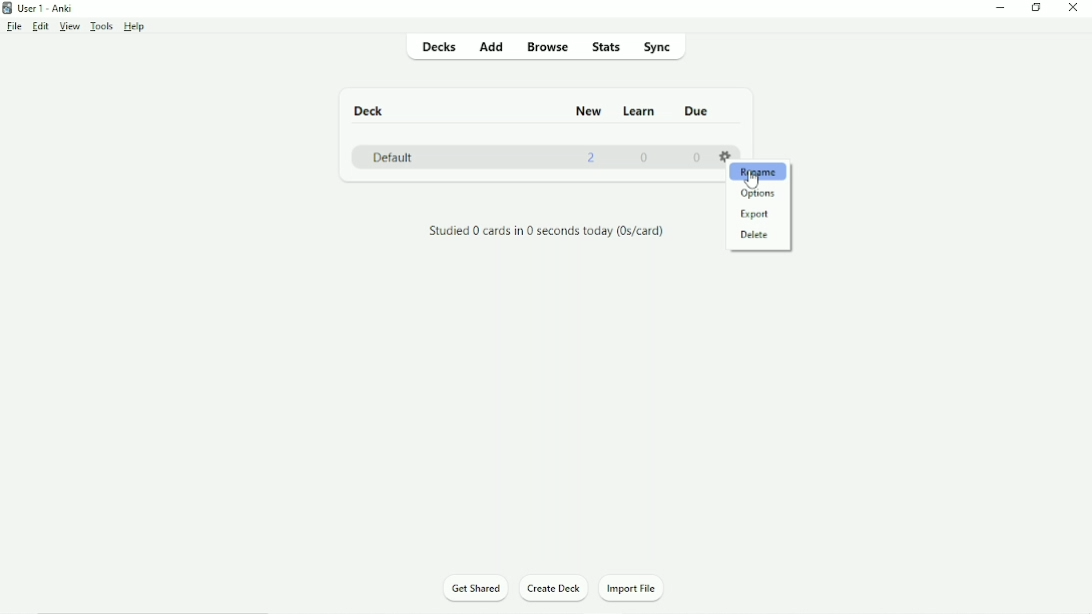 Image resolution: width=1092 pixels, height=614 pixels. Describe the element at coordinates (759, 194) in the screenshot. I see `Options` at that location.